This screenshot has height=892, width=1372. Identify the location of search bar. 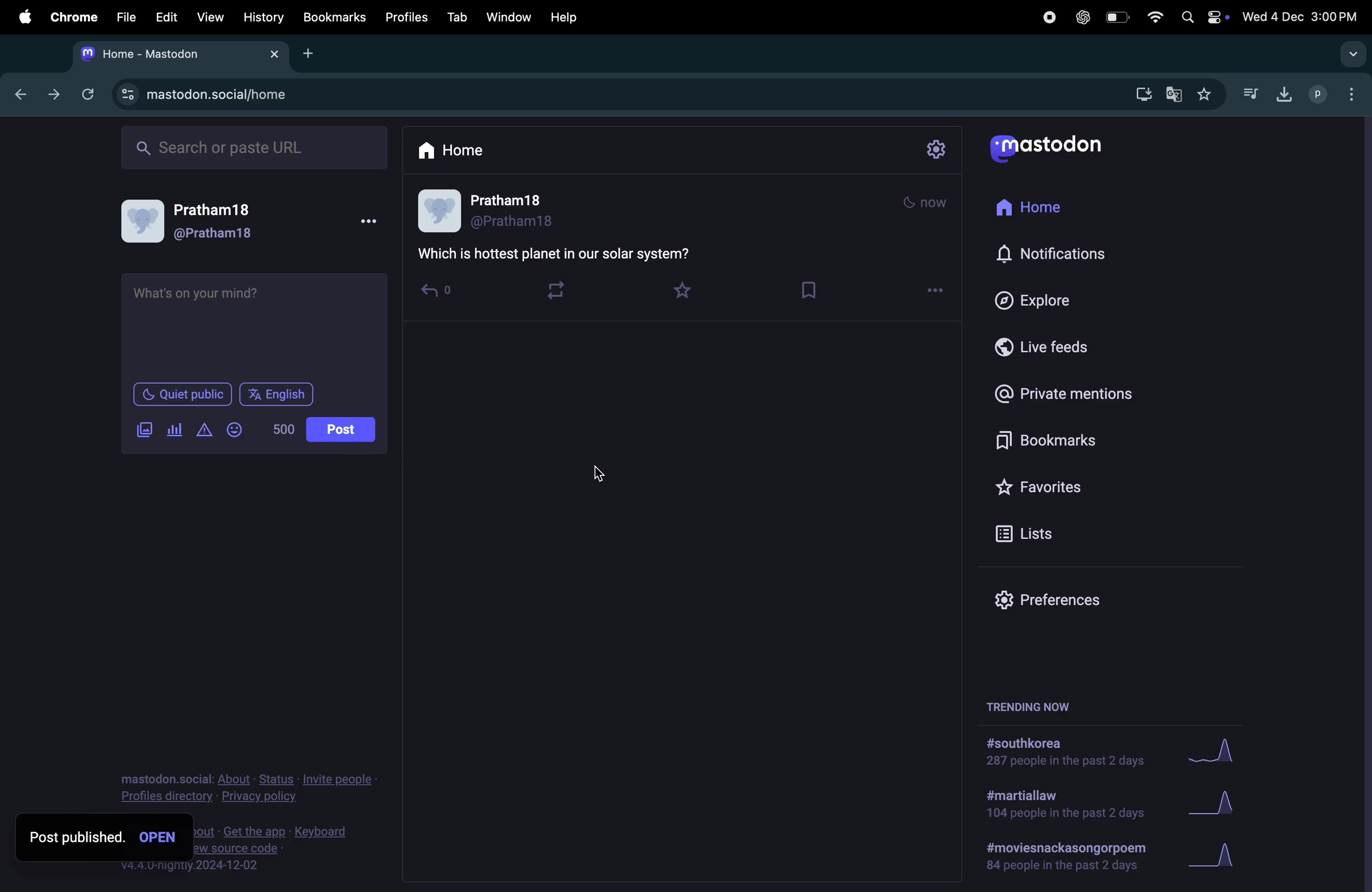
(252, 146).